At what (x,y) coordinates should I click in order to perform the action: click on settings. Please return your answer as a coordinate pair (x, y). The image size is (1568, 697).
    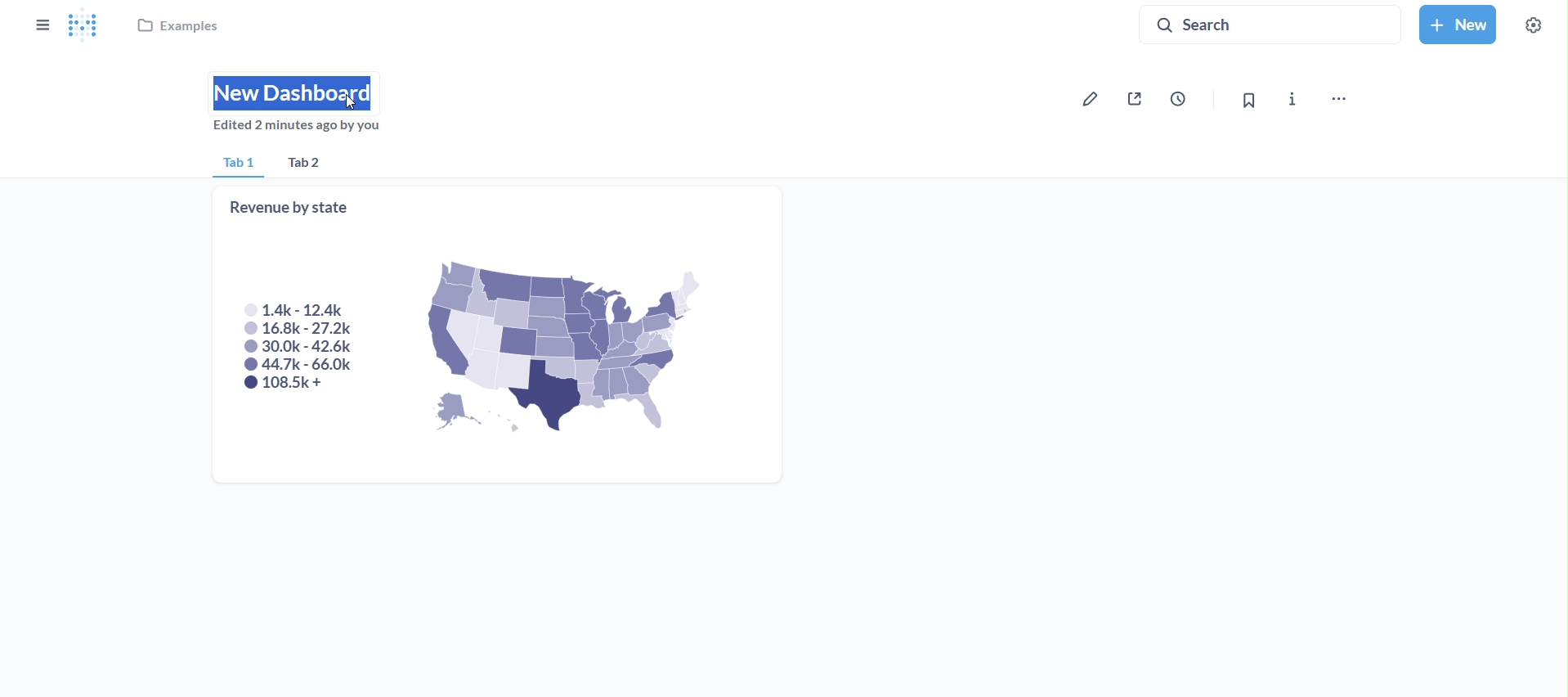
    Looking at the image, I should click on (1530, 24).